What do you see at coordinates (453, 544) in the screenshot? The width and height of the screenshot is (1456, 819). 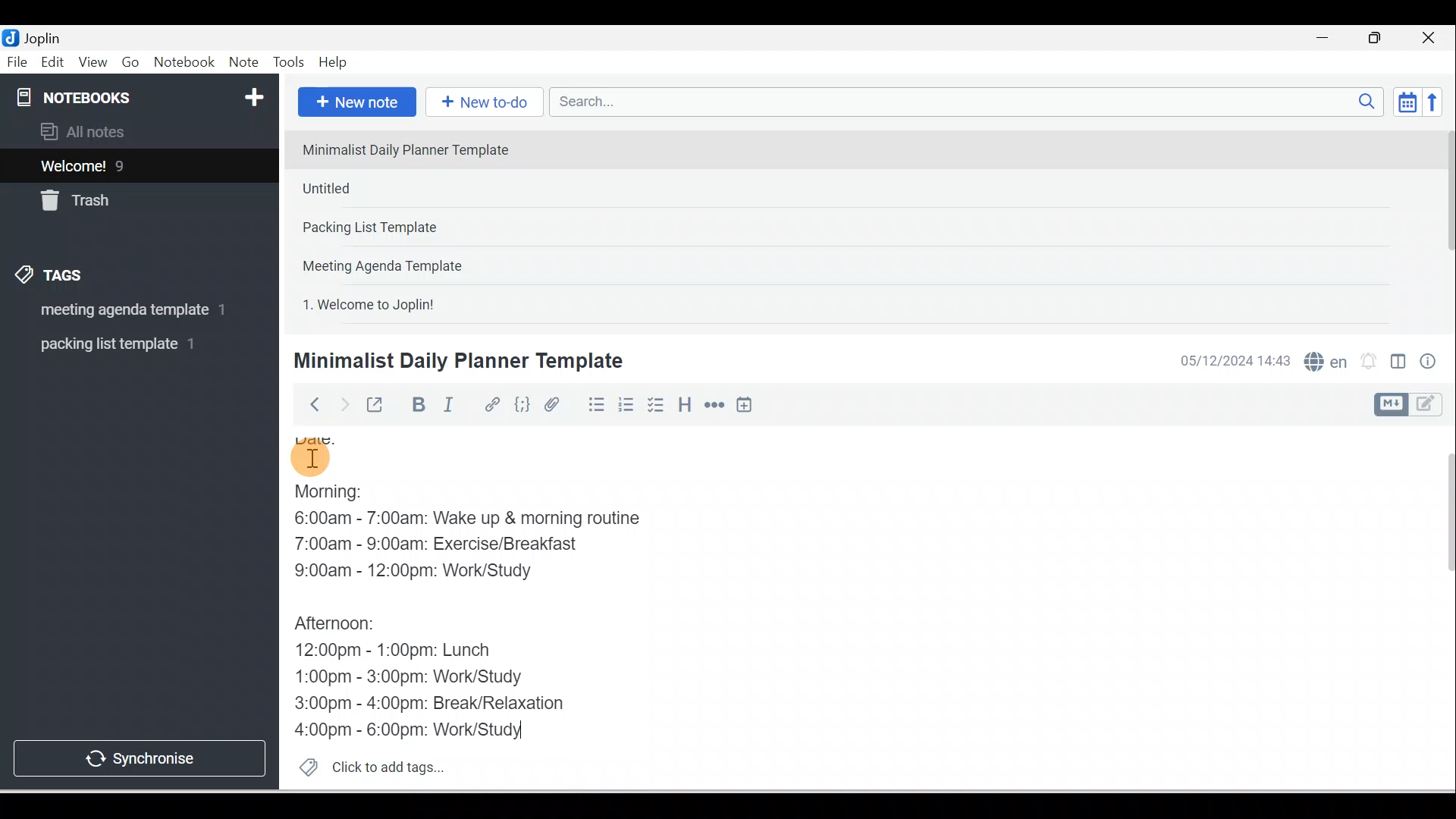 I see `7:00am - 9:00am: Exercise/Breakfast` at bounding box center [453, 544].